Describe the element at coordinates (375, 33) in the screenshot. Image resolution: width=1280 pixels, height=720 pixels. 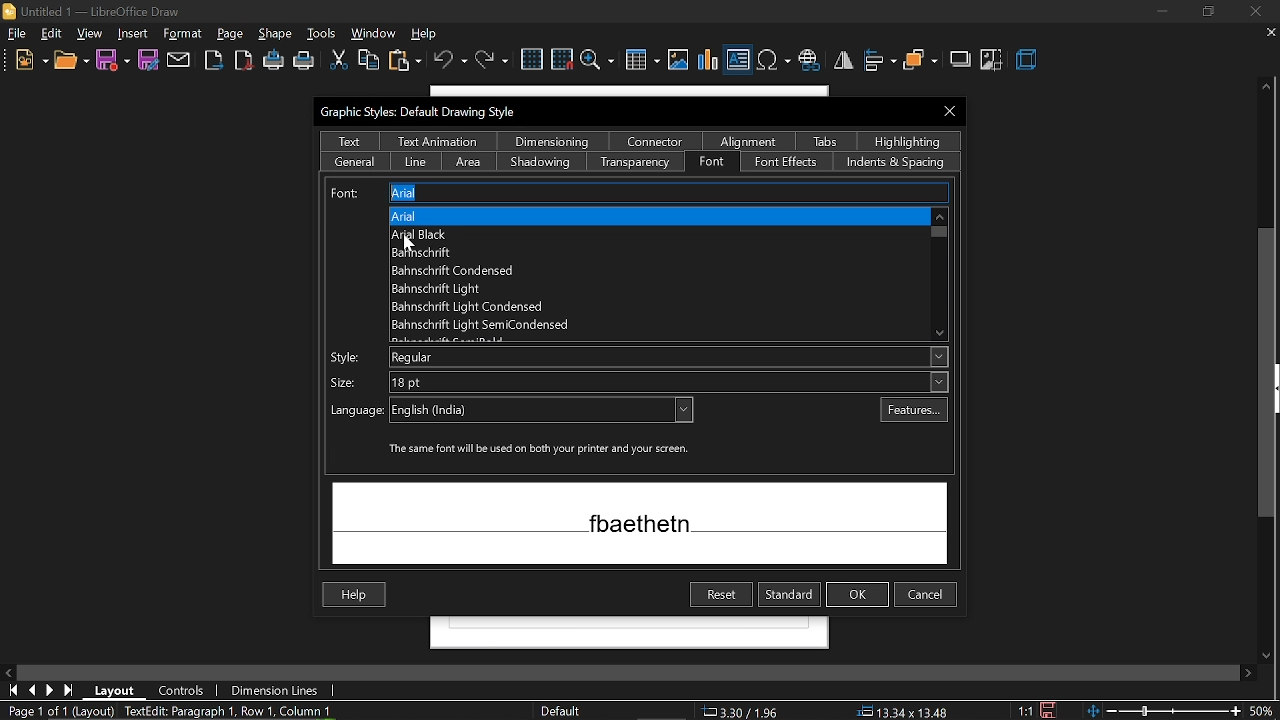
I see `window` at that location.